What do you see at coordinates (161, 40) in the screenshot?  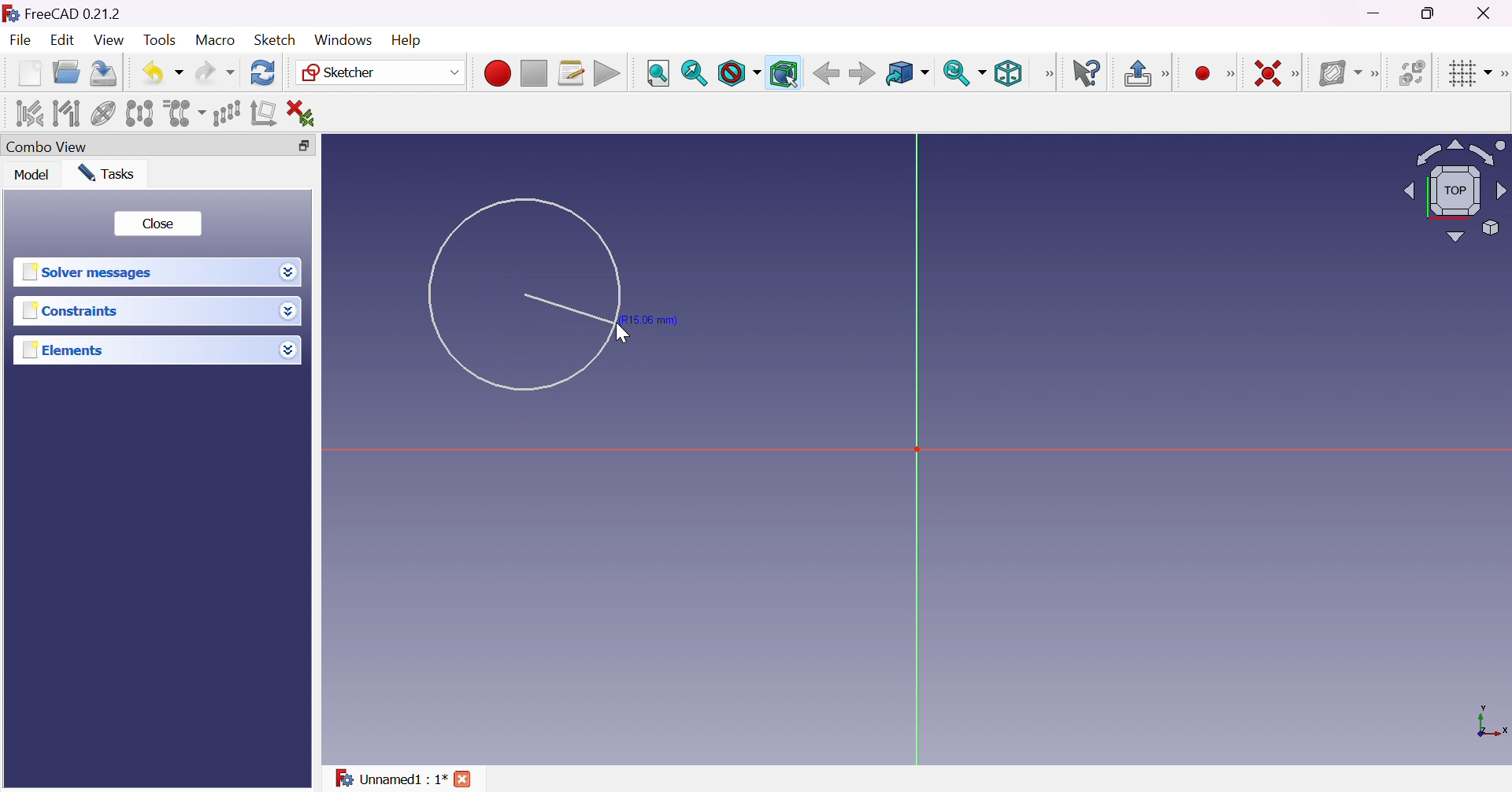 I see `Tools` at bounding box center [161, 40].